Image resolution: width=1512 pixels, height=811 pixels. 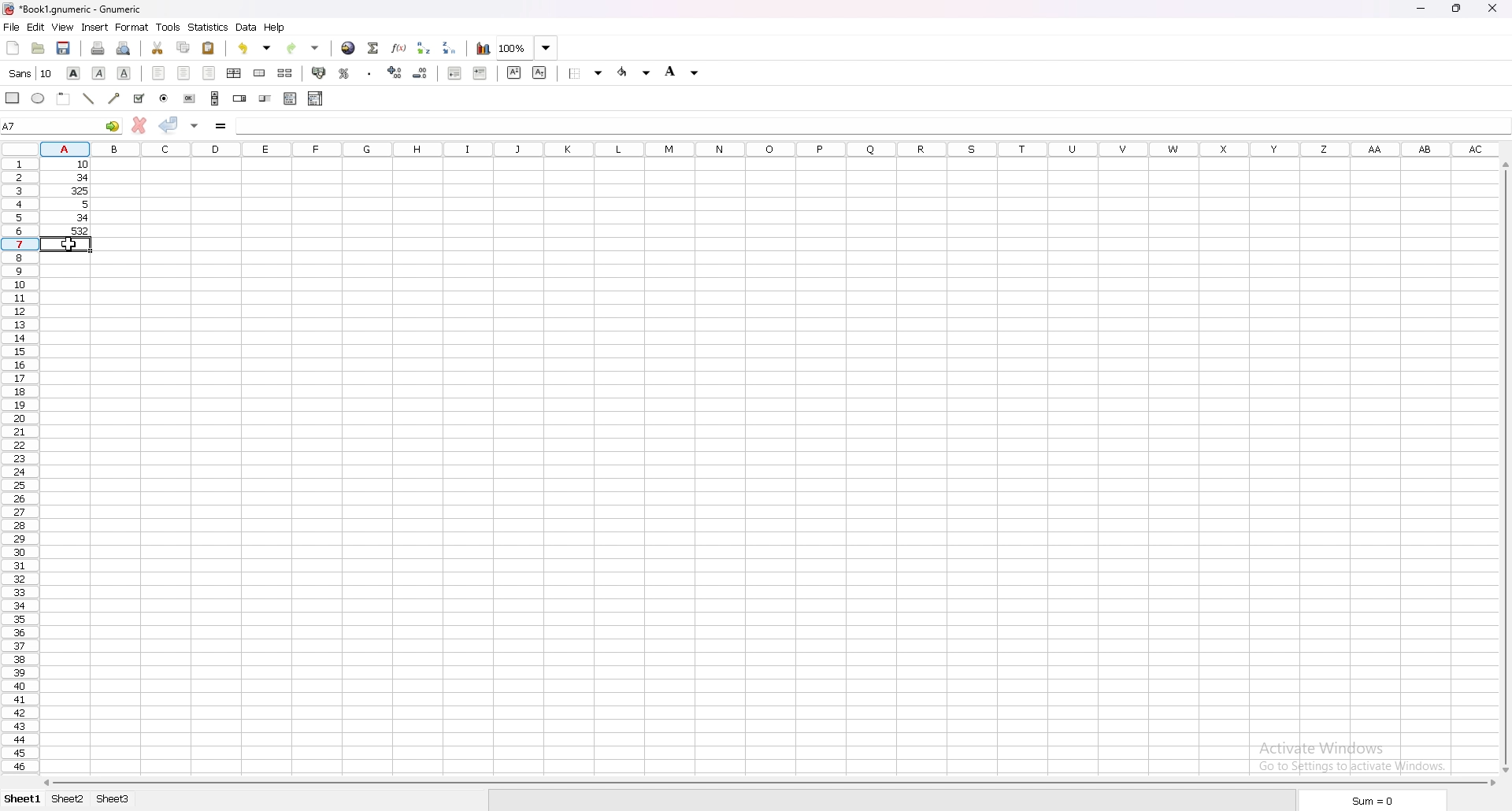 I want to click on tickbox, so click(x=139, y=98).